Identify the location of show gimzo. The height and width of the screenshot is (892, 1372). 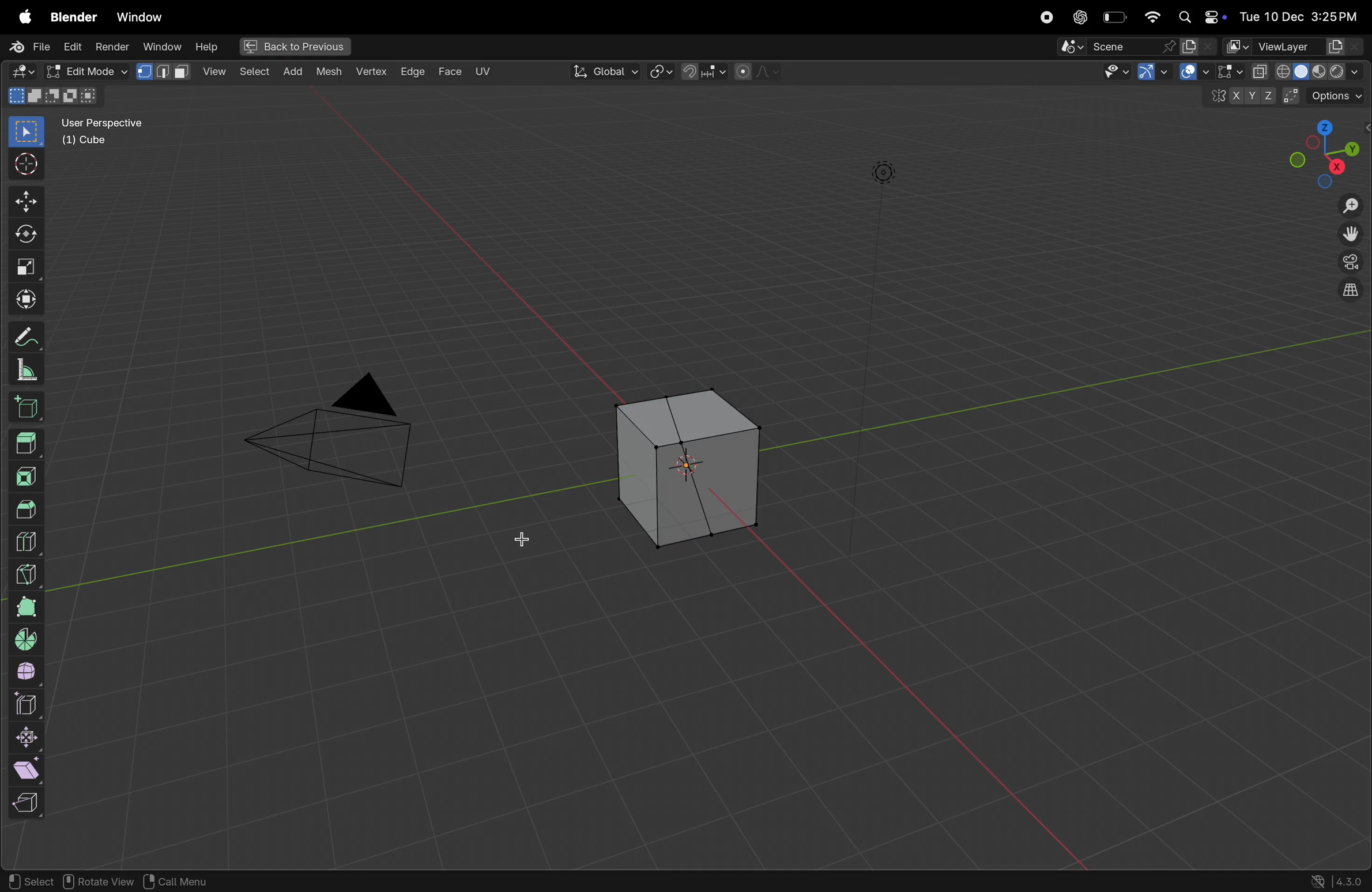
(1181, 73).